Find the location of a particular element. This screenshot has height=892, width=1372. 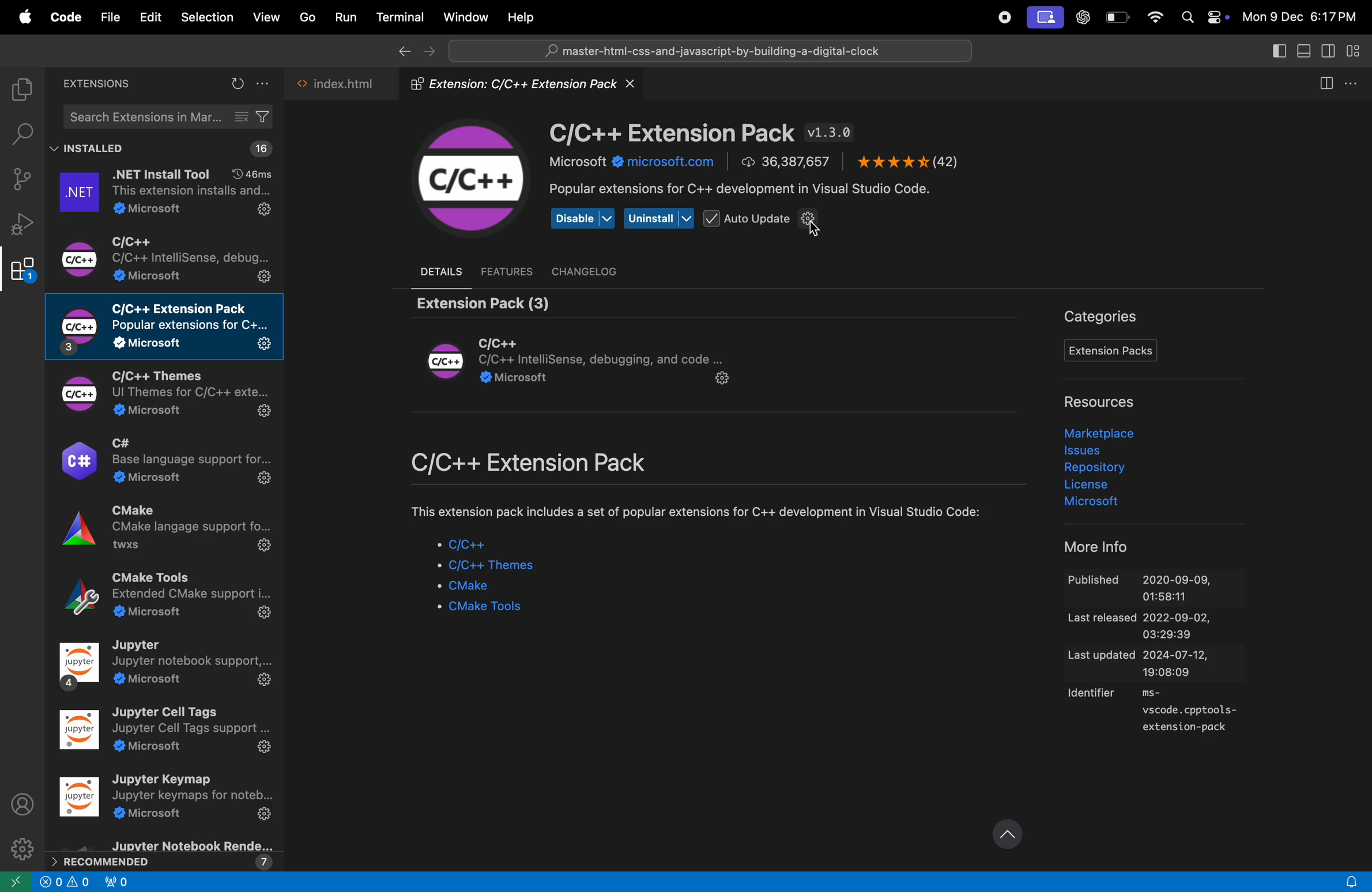

apple widgets is located at coordinates (1204, 16).